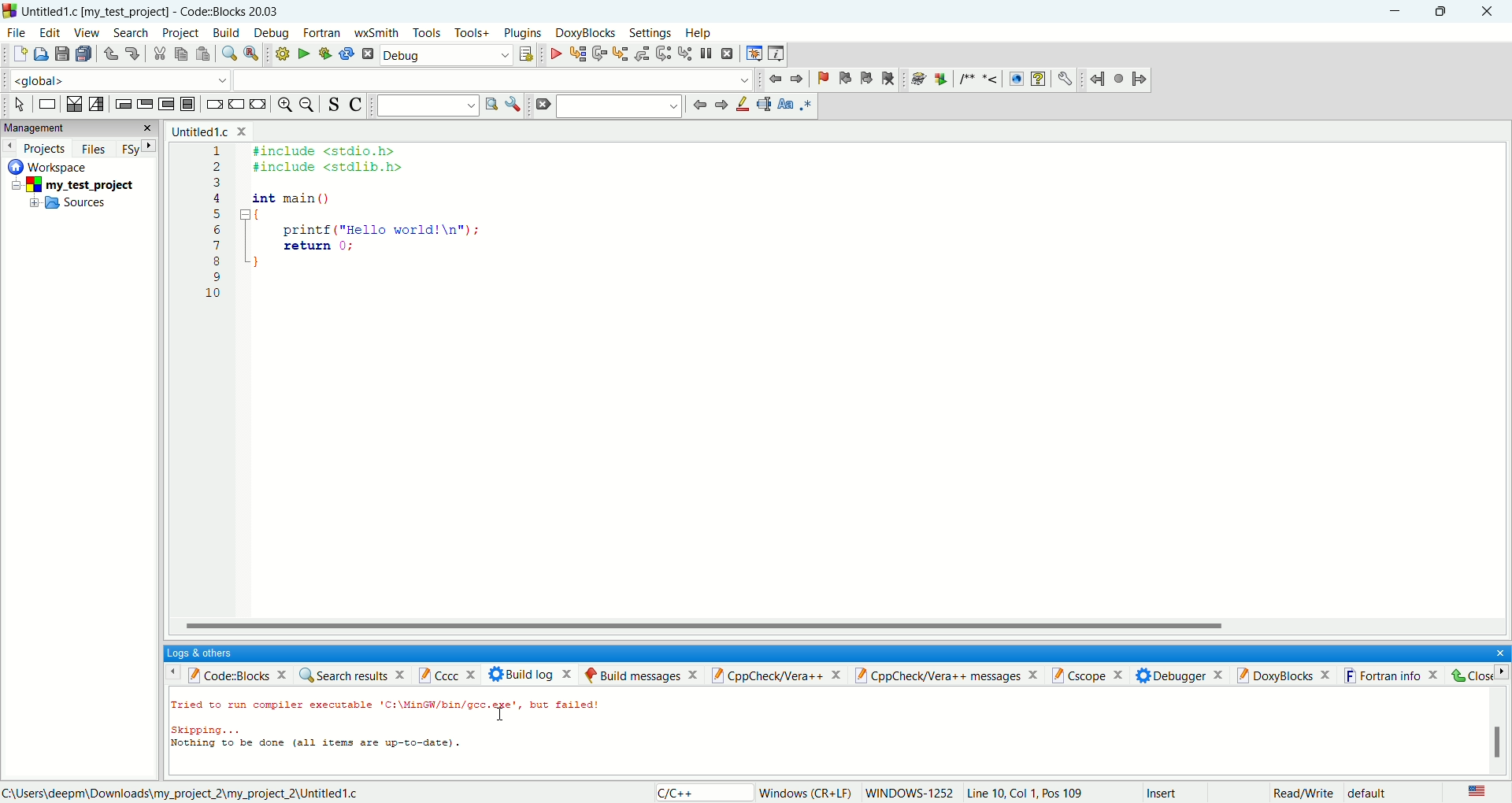 The width and height of the screenshot is (1512, 803). I want to click on read/write, so click(1303, 794).